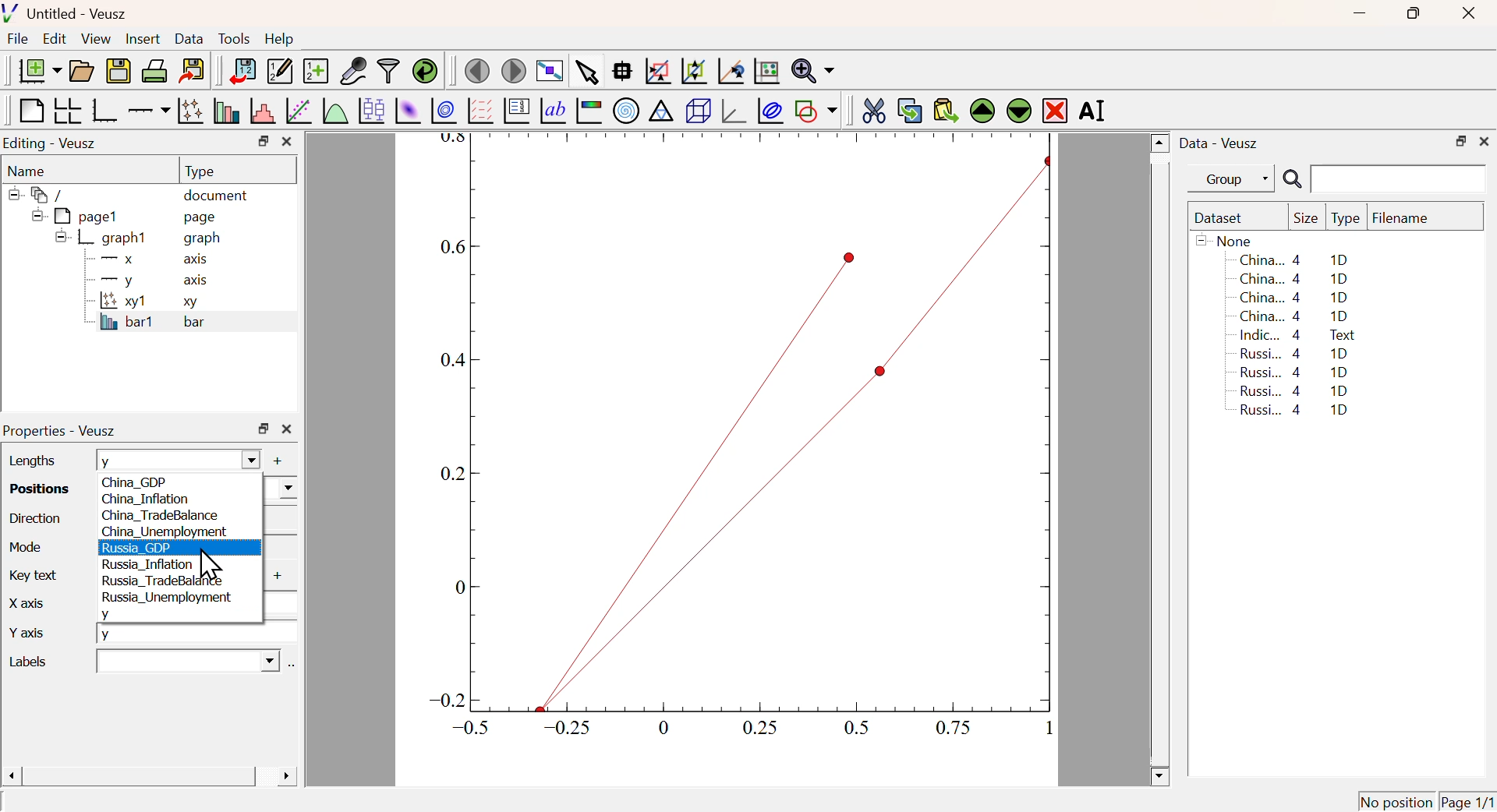 This screenshot has width=1497, height=812. What do you see at coordinates (1294, 372) in the screenshot?
I see `Russi... 4 1D` at bounding box center [1294, 372].